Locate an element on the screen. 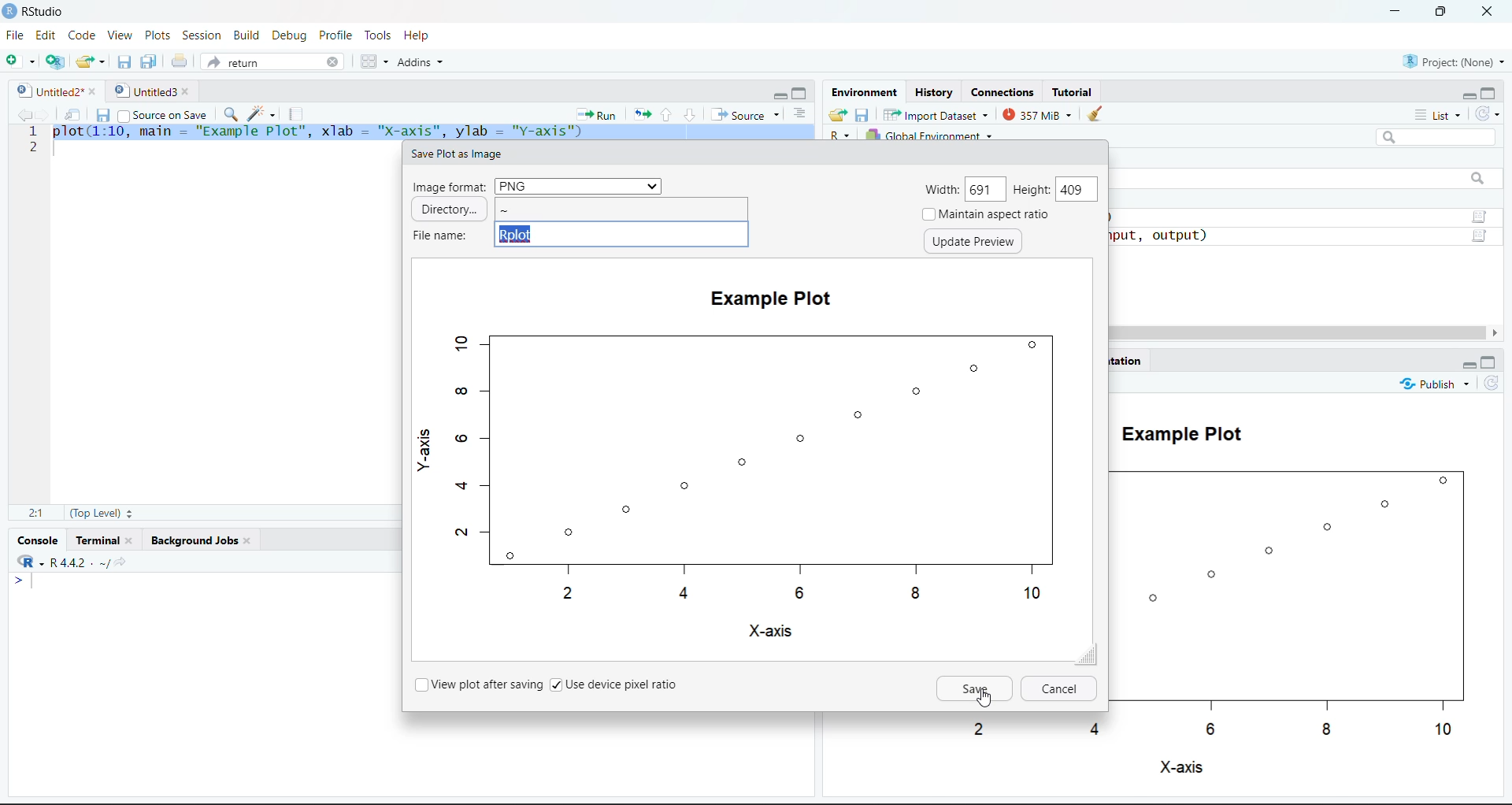 Image resolution: width=1512 pixels, height=805 pixels. History is located at coordinates (934, 91).